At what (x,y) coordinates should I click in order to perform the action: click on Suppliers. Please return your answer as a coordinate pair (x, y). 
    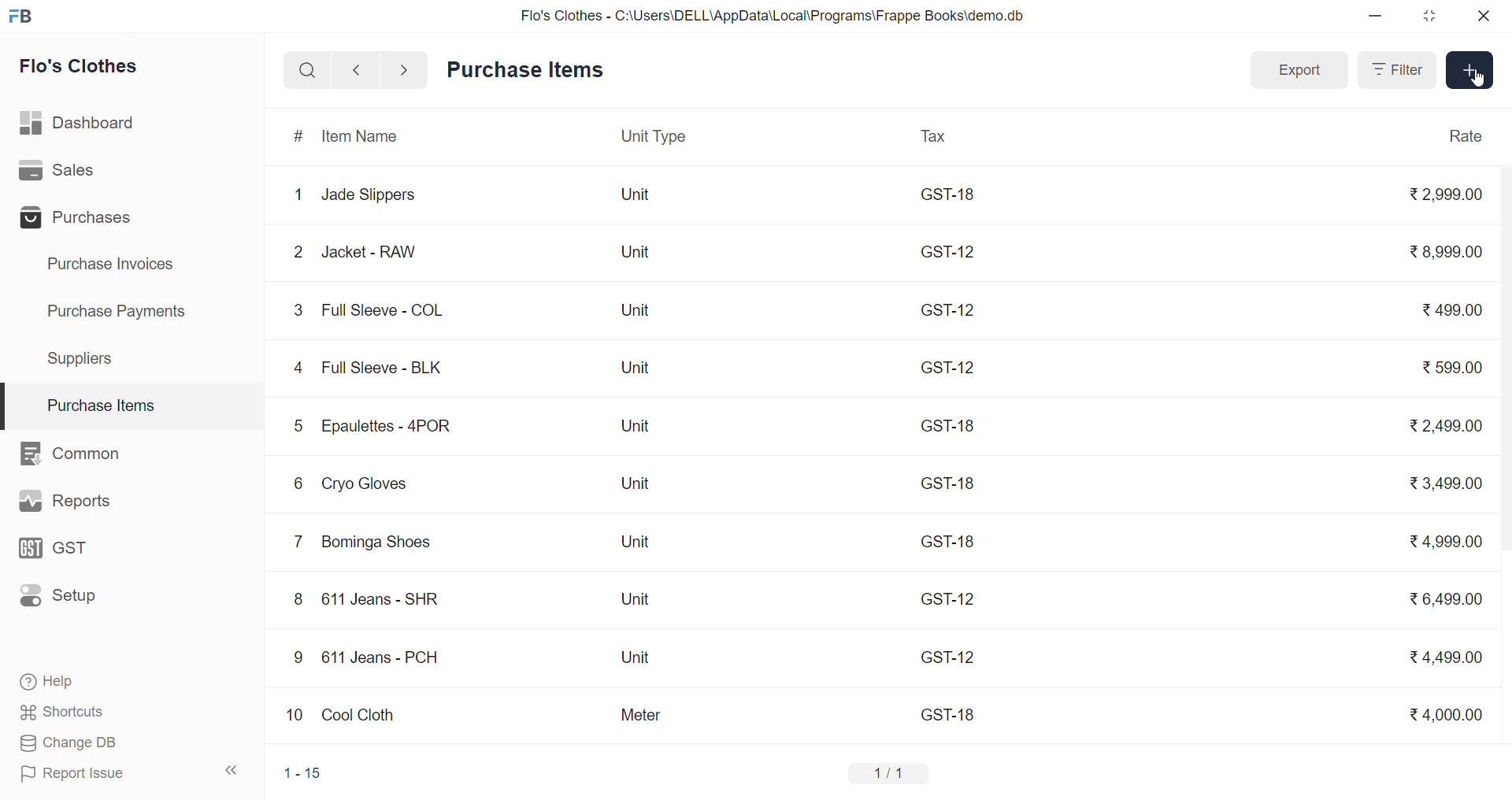
    Looking at the image, I should click on (87, 357).